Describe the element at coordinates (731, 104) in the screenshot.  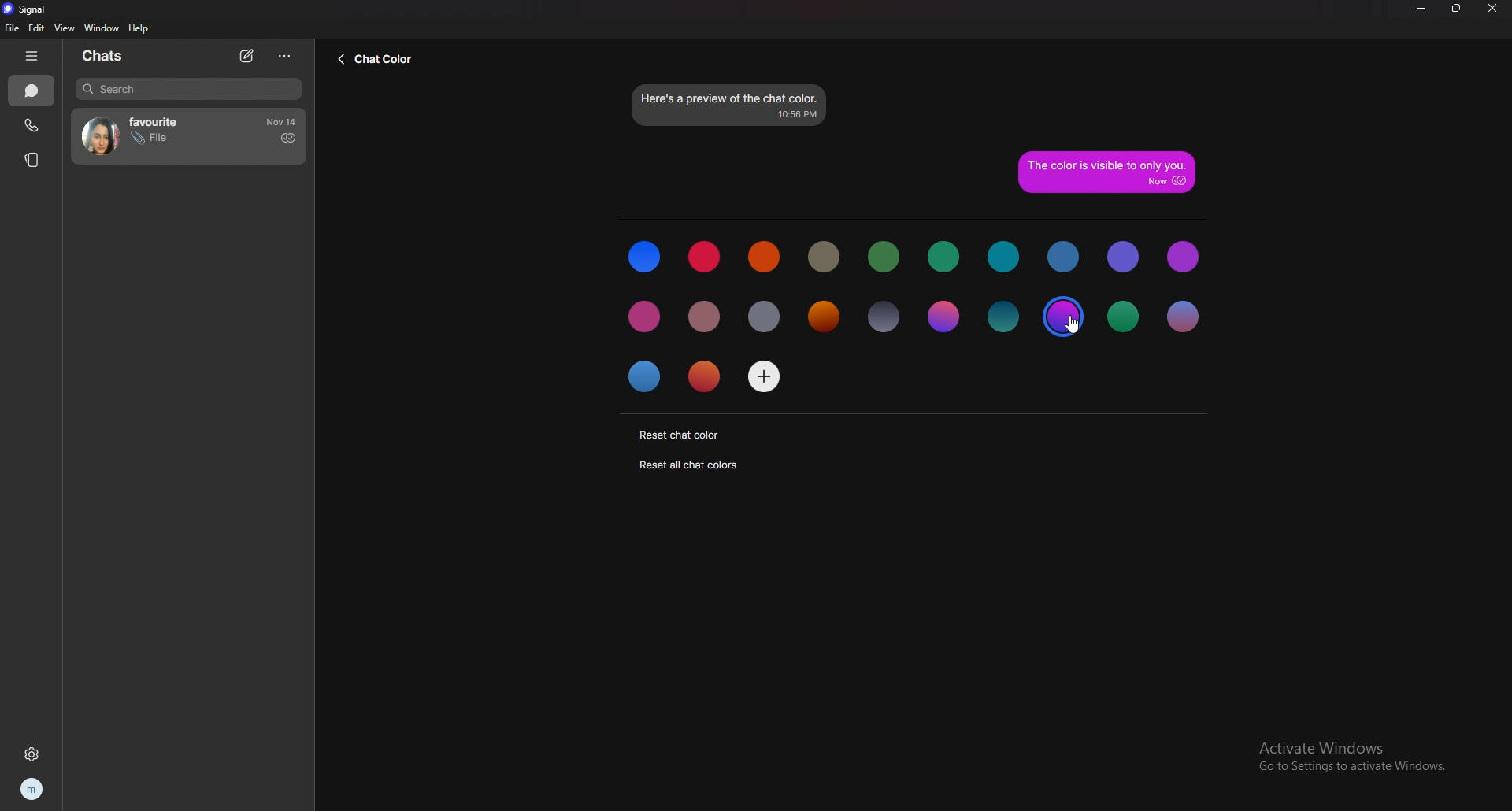
I see `preview text` at that location.